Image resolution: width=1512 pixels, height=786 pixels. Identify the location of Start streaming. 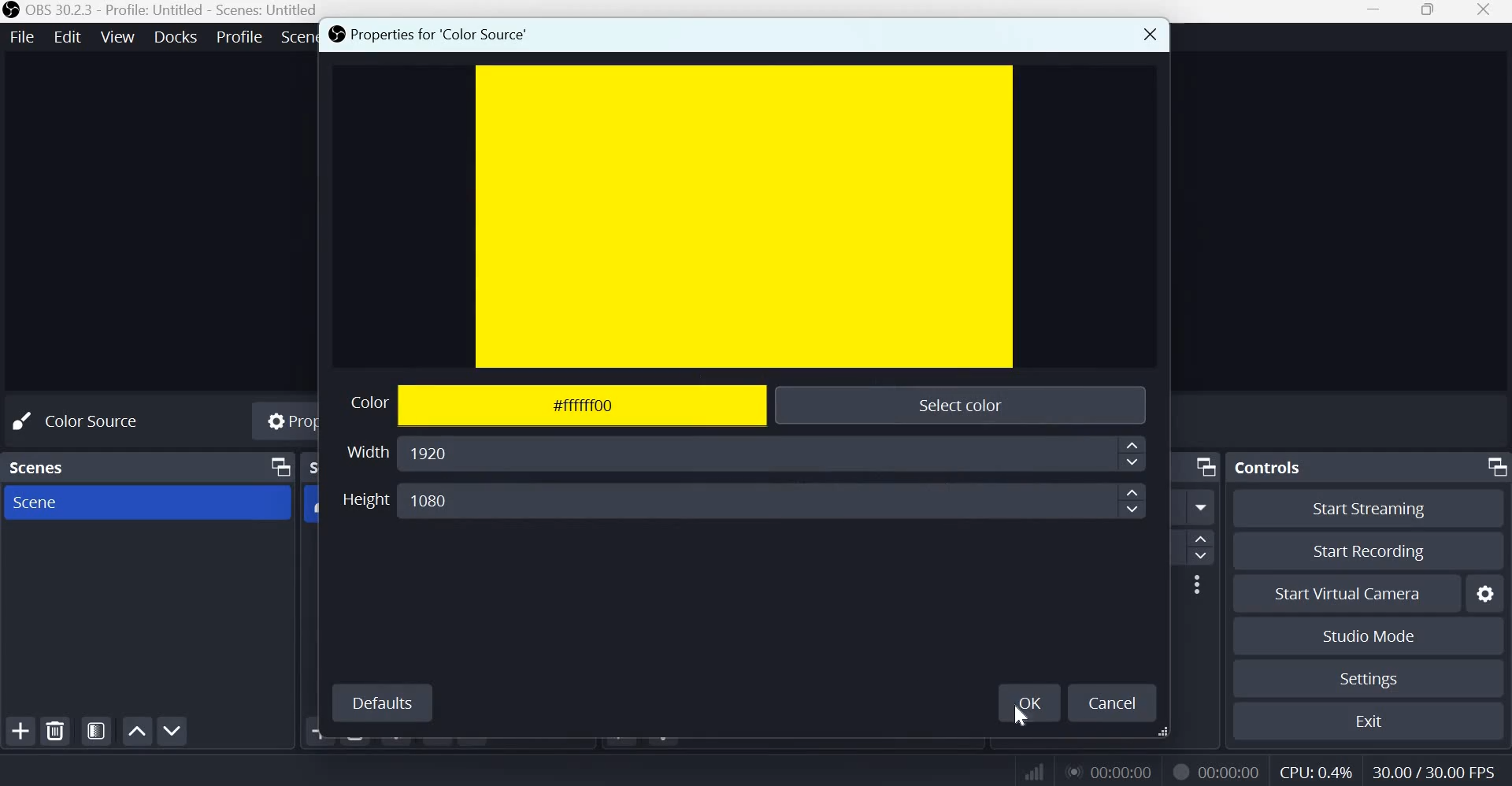
(1376, 508).